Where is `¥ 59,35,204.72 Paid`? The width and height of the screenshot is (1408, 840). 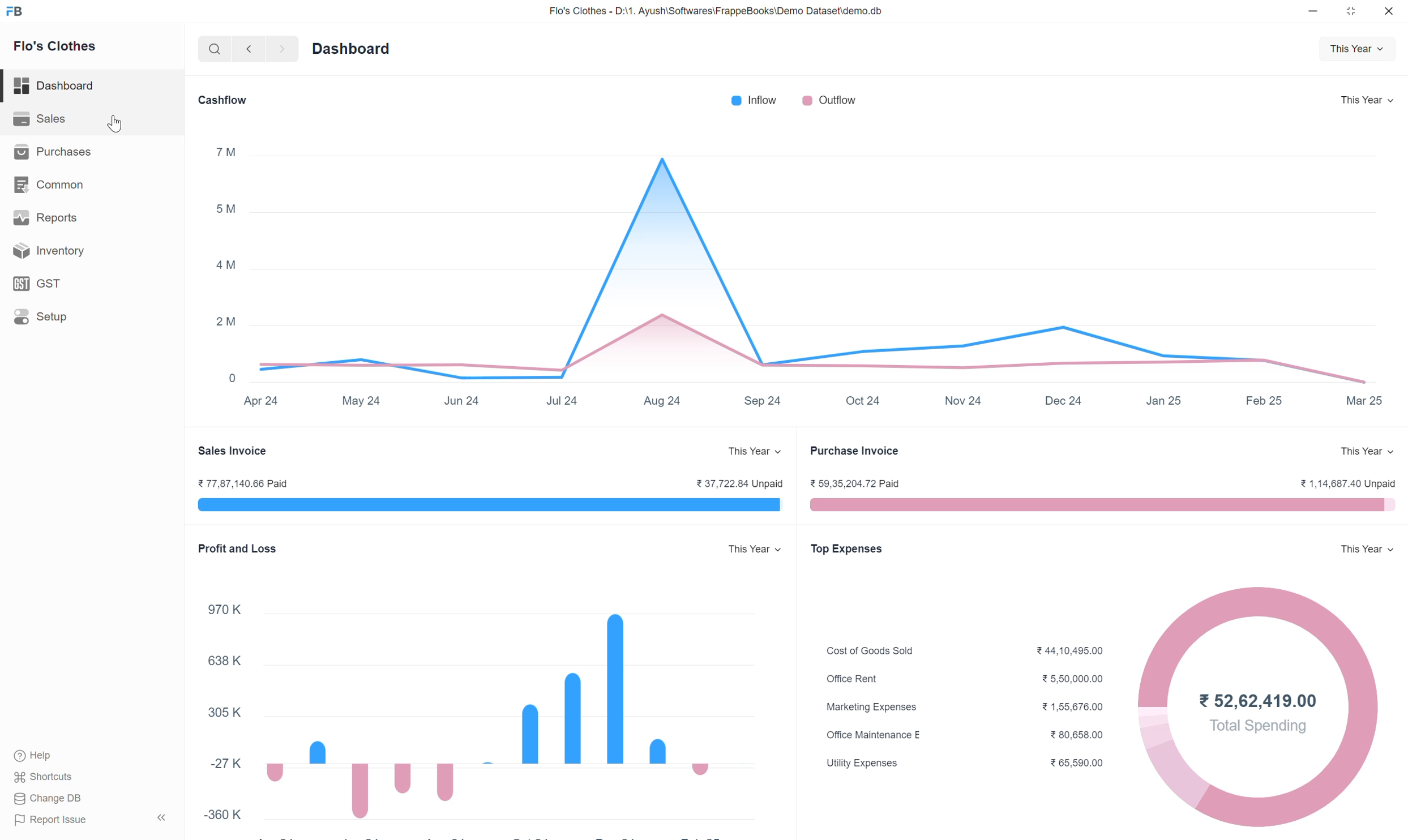 ¥ 59,35,204.72 Paid is located at coordinates (854, 482).